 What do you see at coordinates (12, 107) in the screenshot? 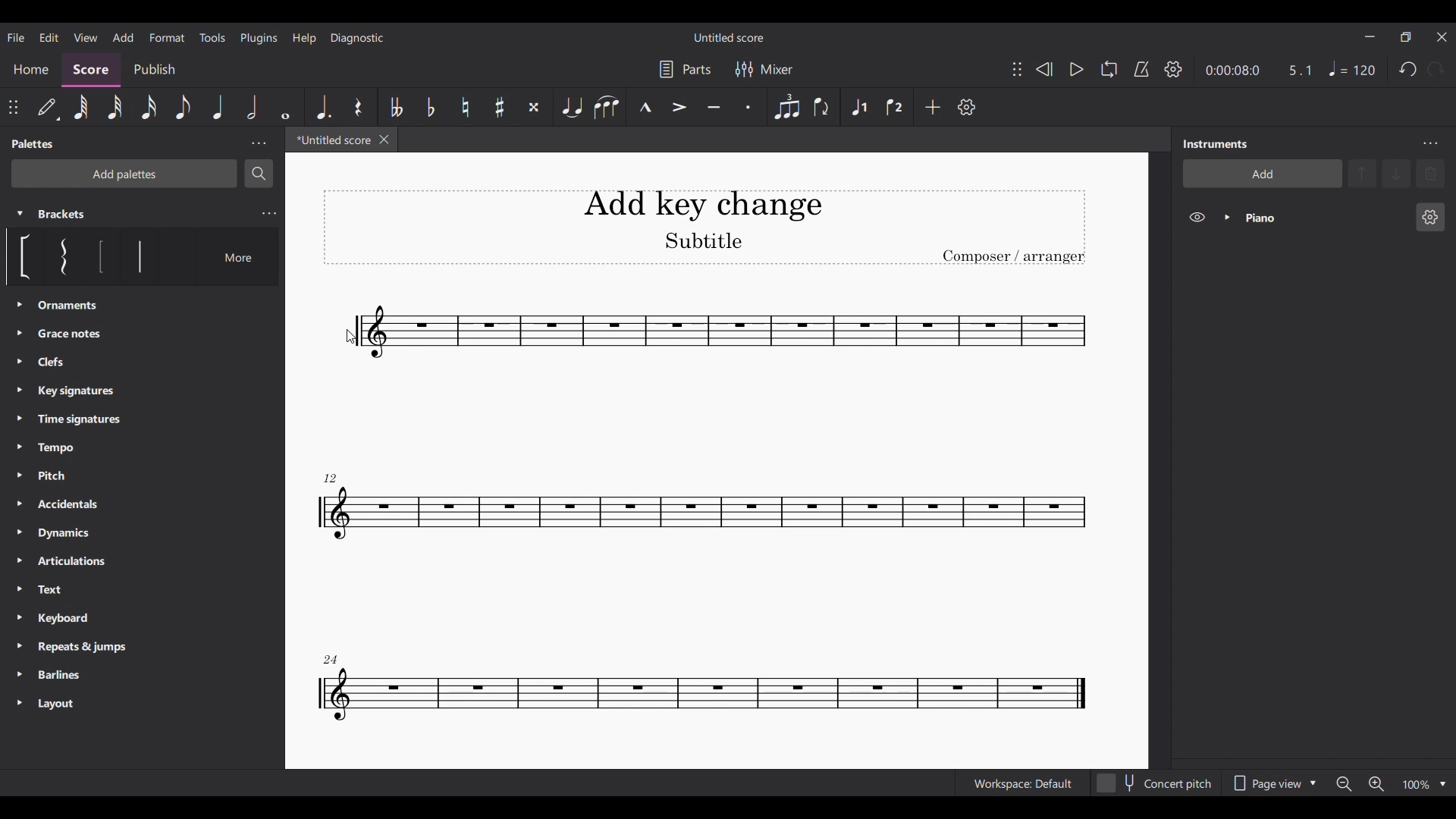
I see `Change position of toolbar` at bounding box center [12, 107].